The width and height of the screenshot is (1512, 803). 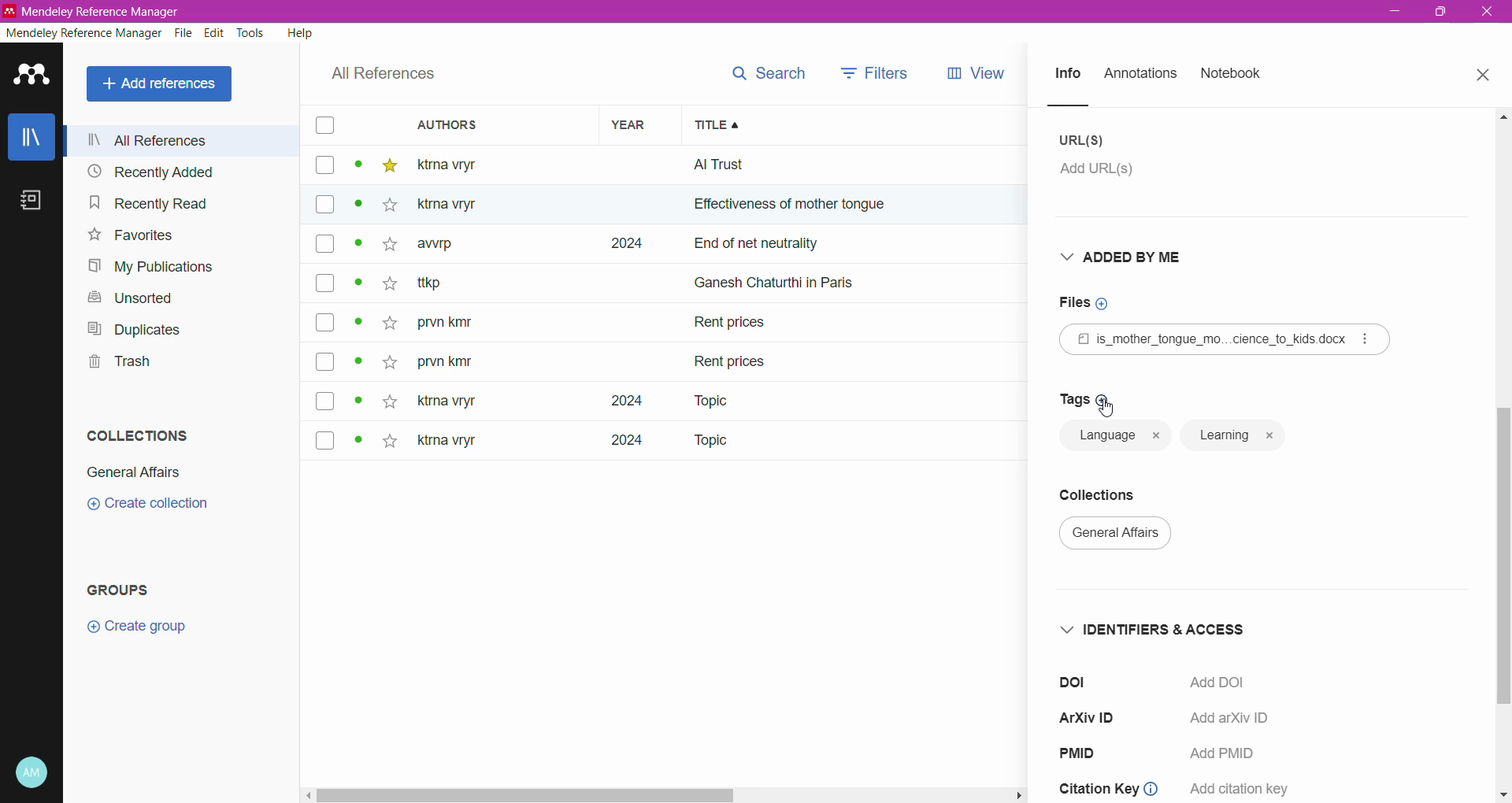 What do you see at coordinates (1092, 714) in the screenshot?
I see `ArXiV ID` at bounding box center [1092, 714].